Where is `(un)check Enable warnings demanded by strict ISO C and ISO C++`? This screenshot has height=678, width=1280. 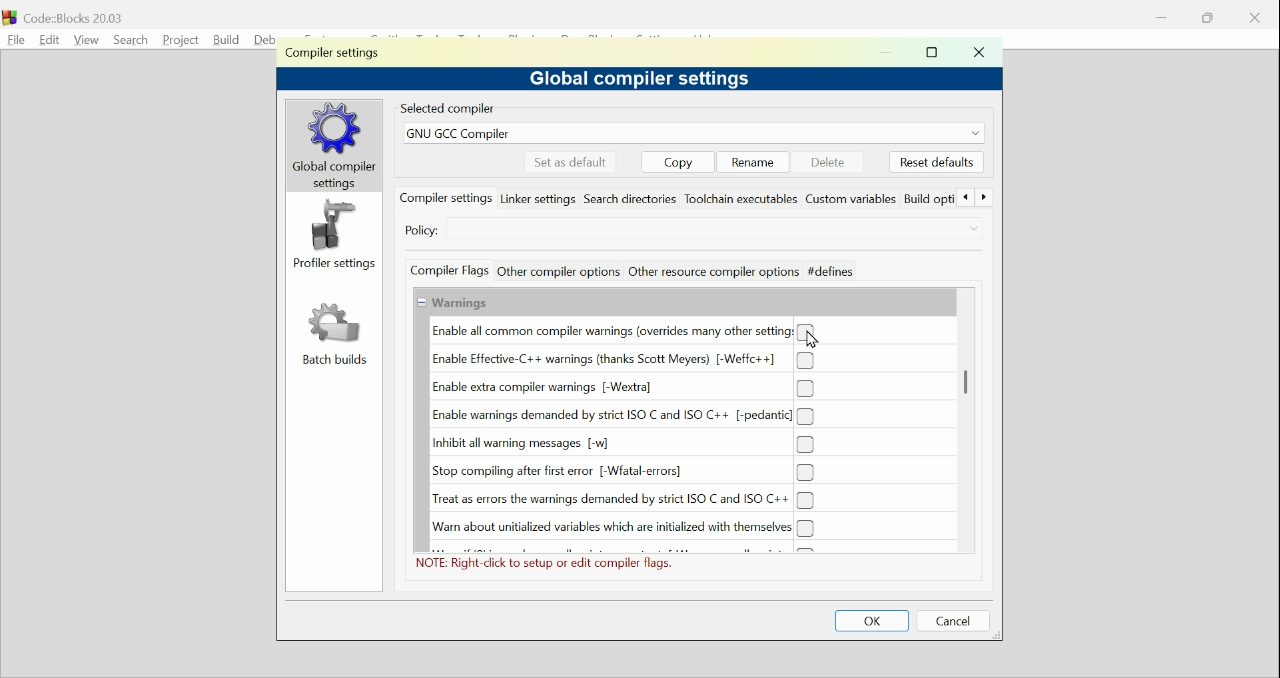
(un)check Enable warnings demanded by strict ISO C and ISO C++ is located at coordinates (623, 416).